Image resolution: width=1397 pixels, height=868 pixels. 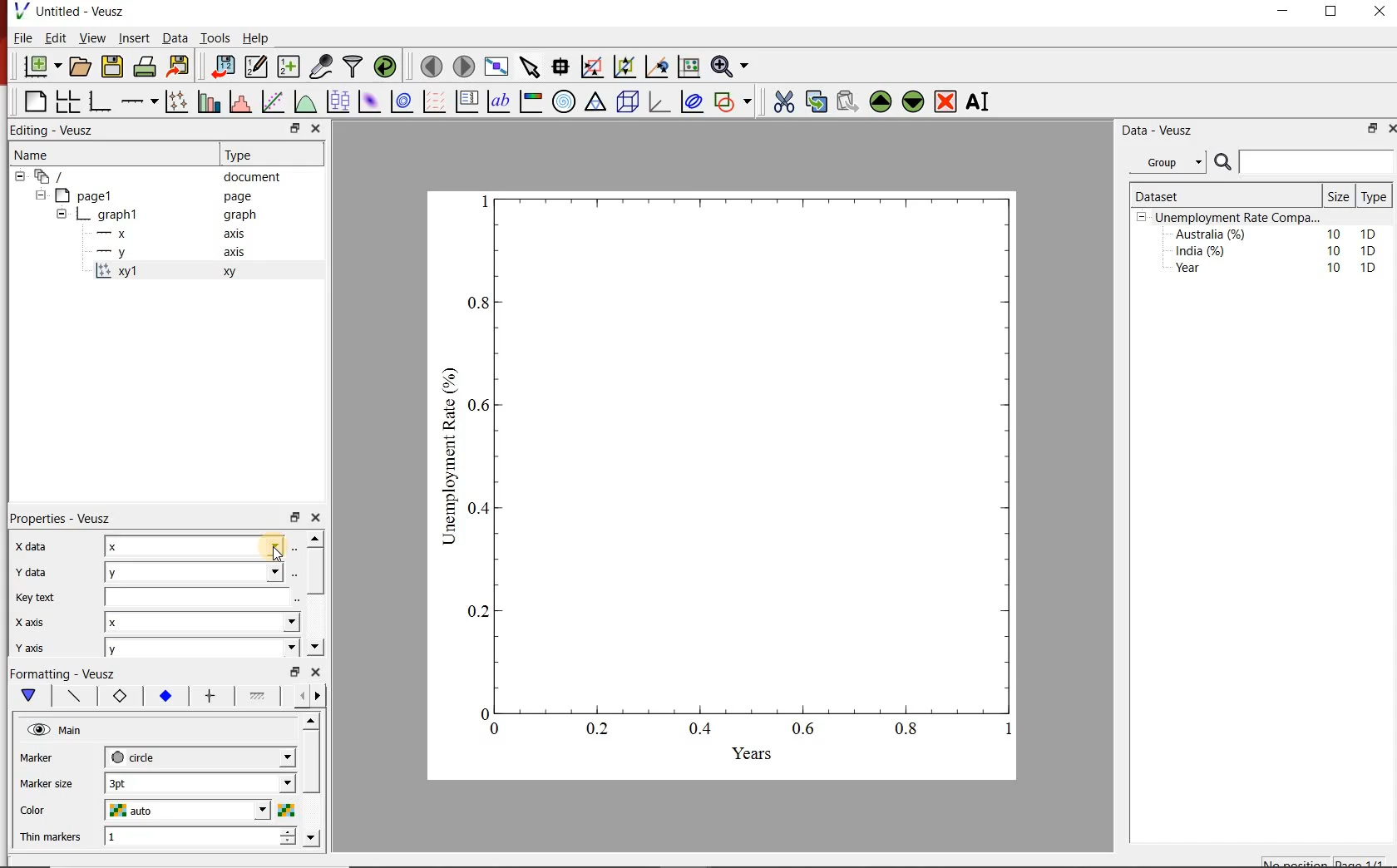 What do you see at coordinates (313, 721) in the screenshot?
I see `move up` at bounding box center [313, 721].